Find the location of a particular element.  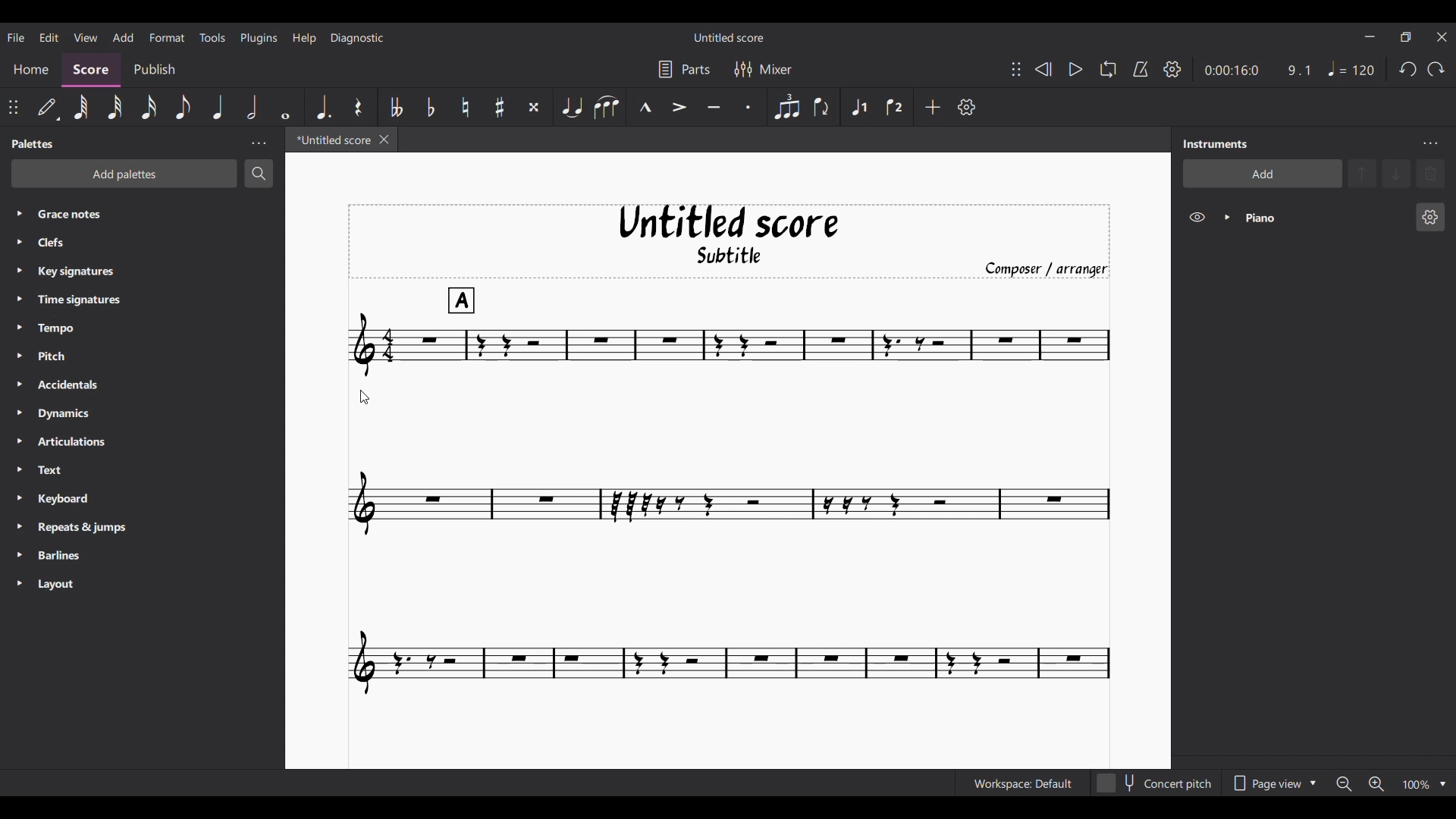

Move instrument up is located at coordinates (1363, 173).